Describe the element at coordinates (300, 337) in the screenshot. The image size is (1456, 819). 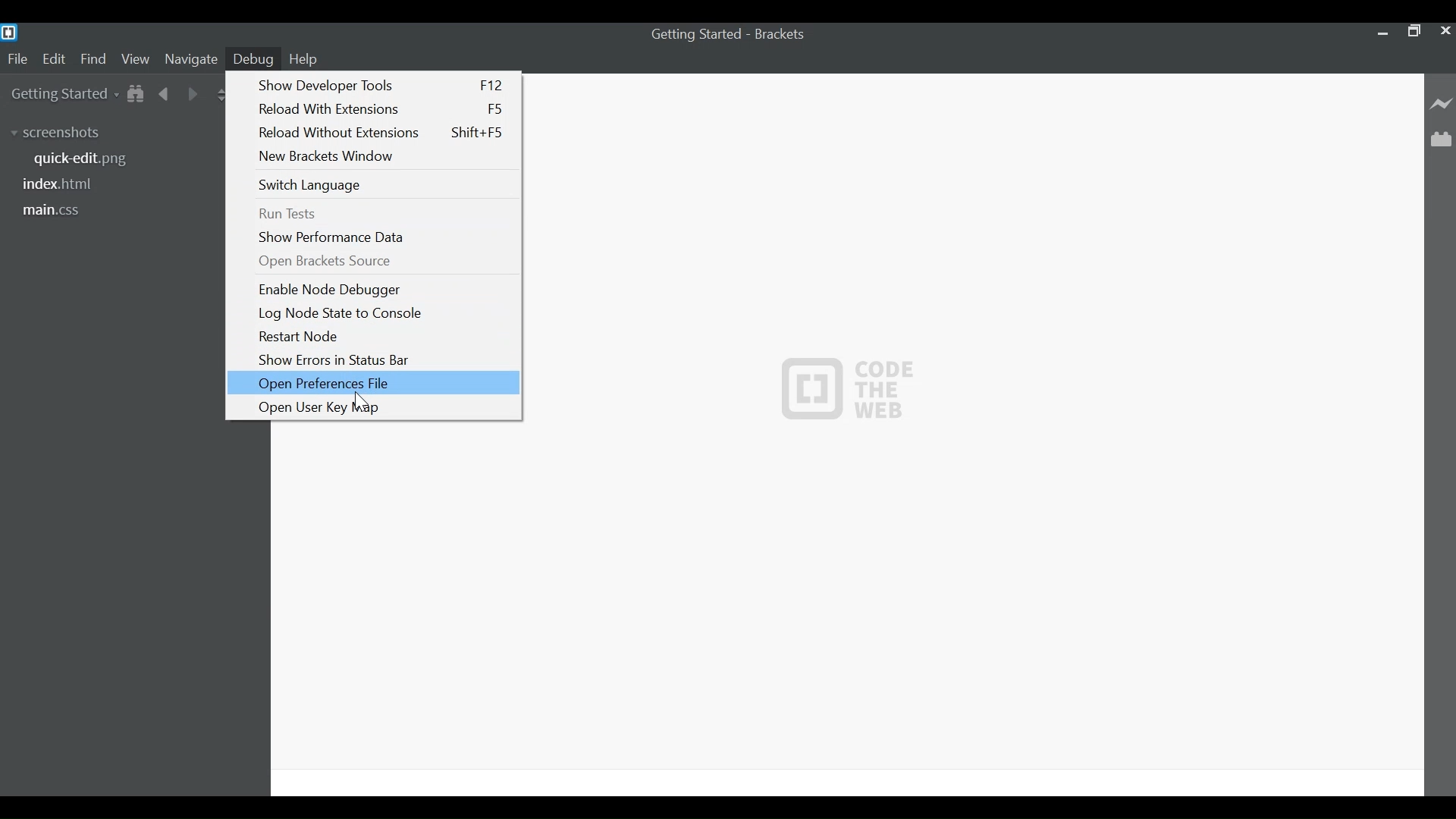
I see `Restart Node` at that location.